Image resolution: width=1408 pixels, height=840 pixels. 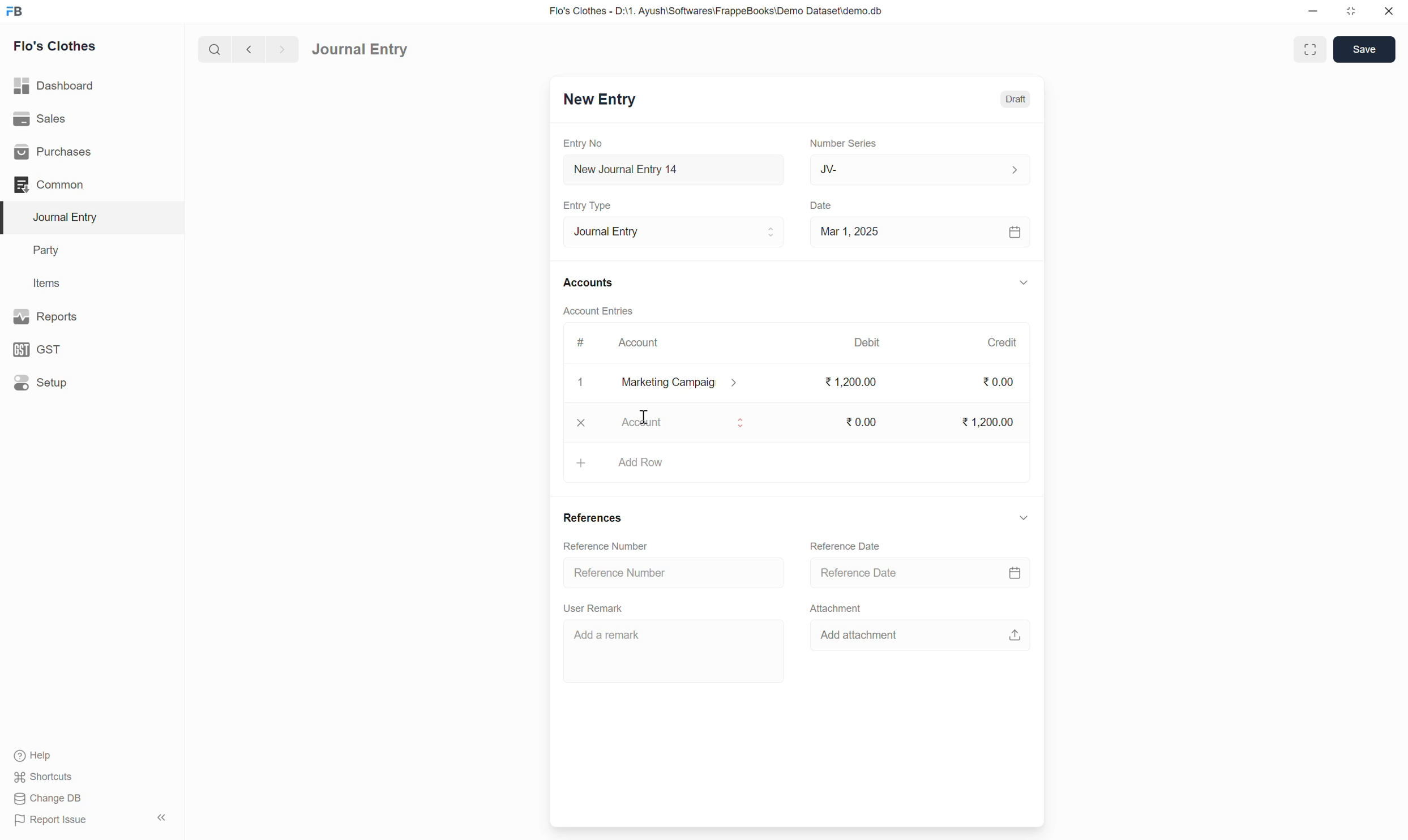 I want to click on Reference Number, so click(x=652, y=547).